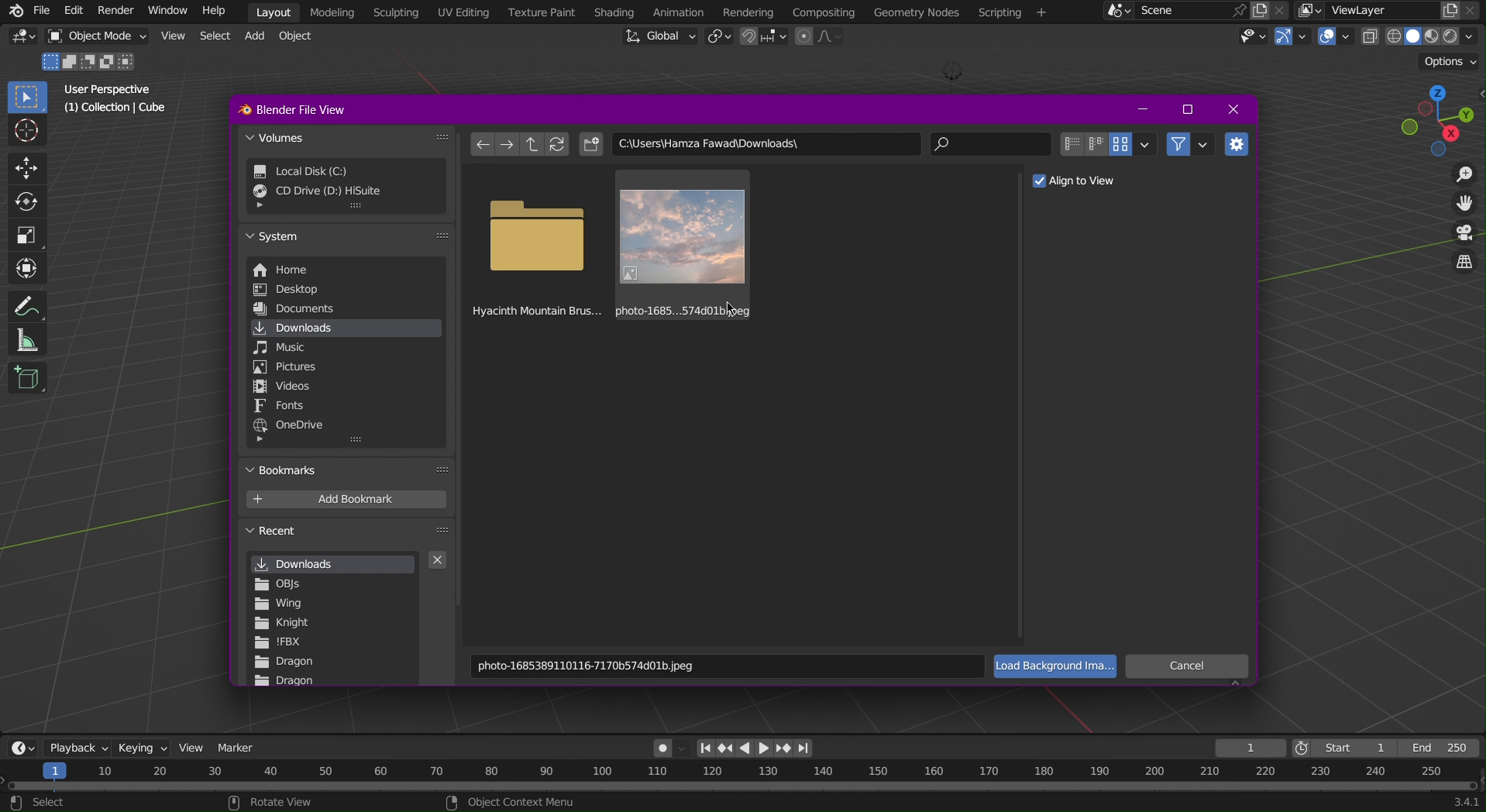 The height and width of the screenshot is (812, 1486). Describe the element at coordinates (97, 37) in the screenshot. I see `Object Mode` at that location.